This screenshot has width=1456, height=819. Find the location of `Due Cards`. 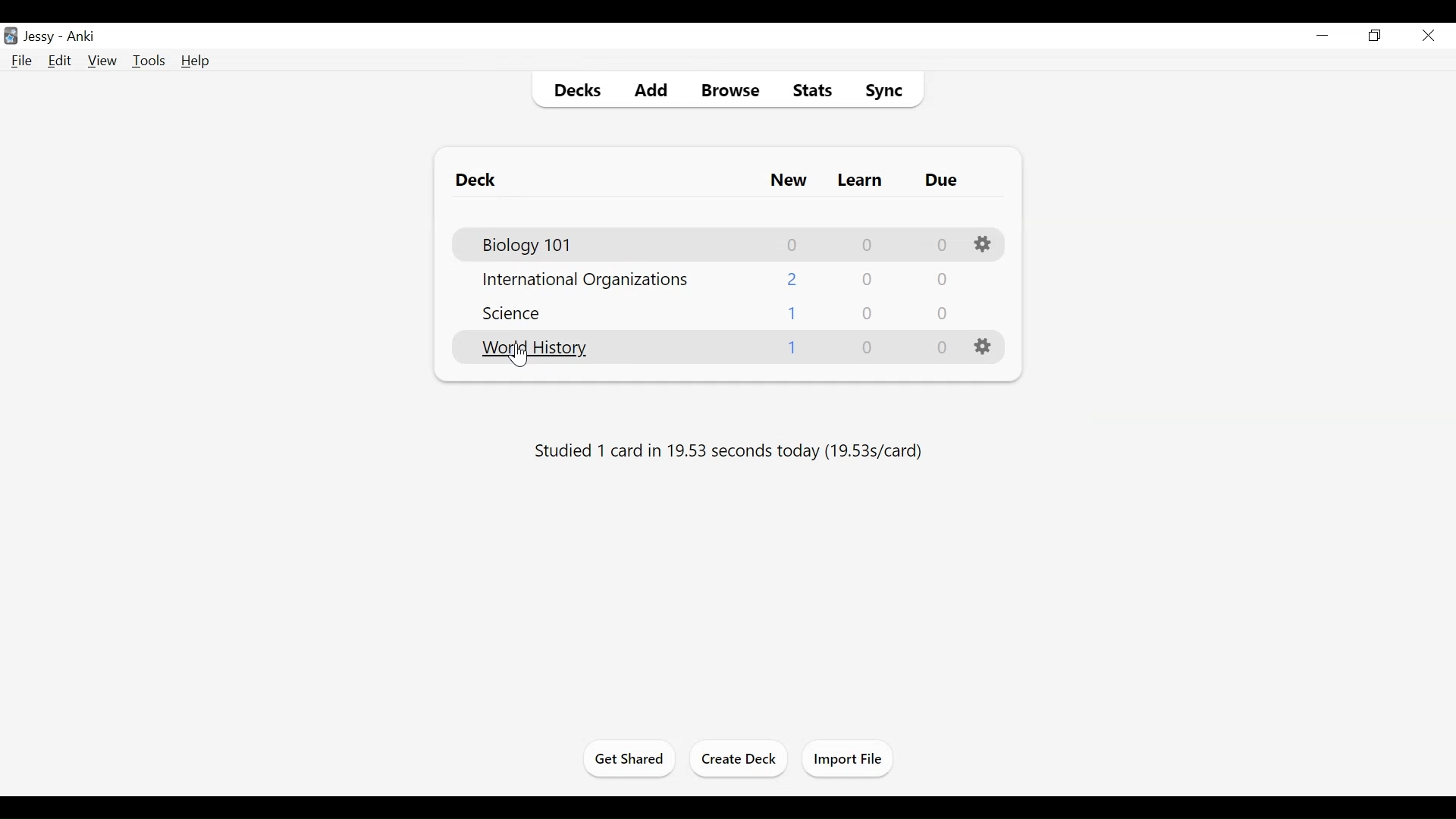

Due Cards is located at coordinates (940, 181).